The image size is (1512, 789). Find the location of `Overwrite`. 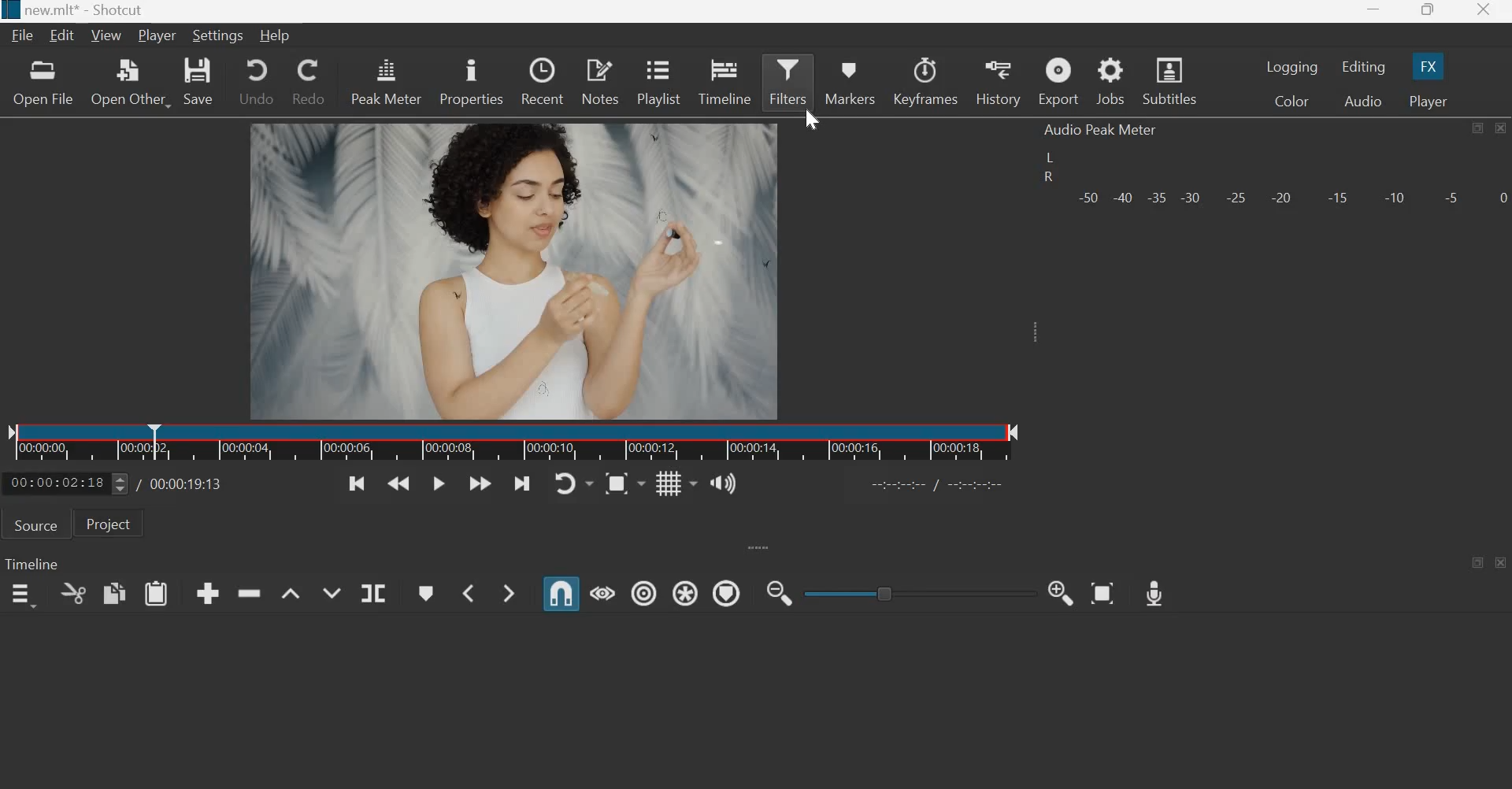

Overwrite is located at coordinates (332, 591).